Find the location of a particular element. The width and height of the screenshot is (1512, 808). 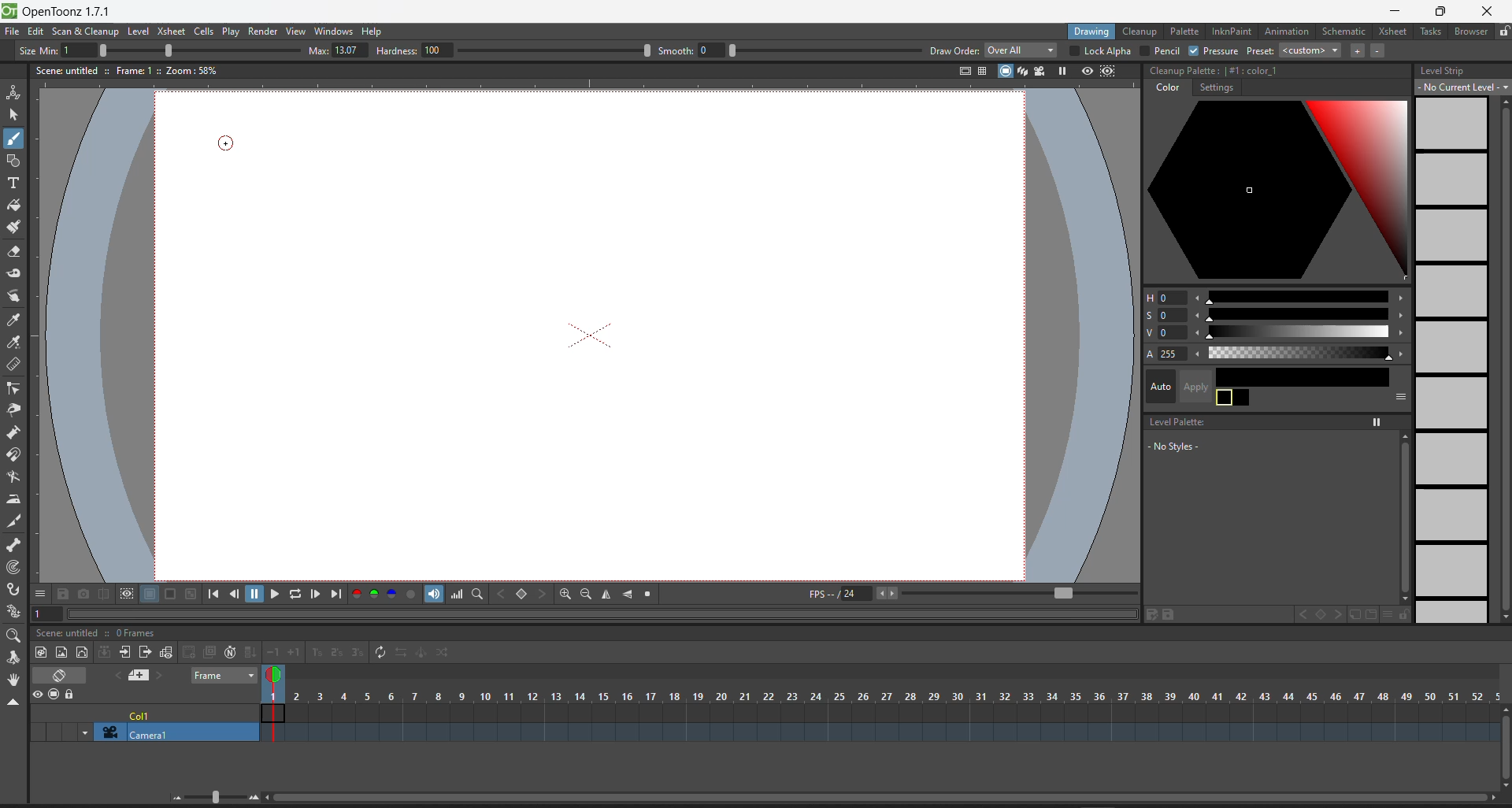

eraser tool is located at coordinates (16, 251).